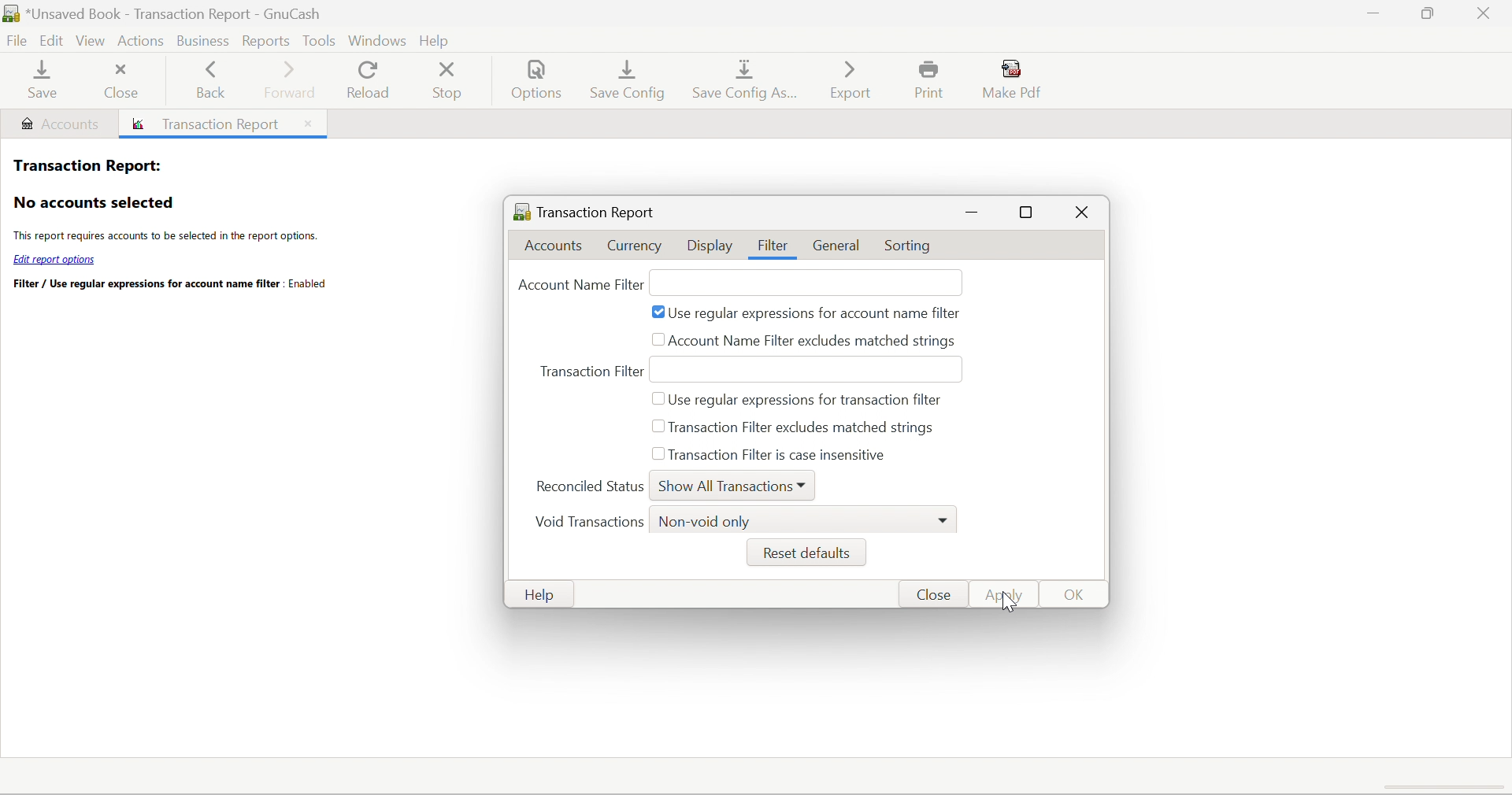 Image resolution: width=1512 pixels, height=795 pixels. I want to click on Close, so click(1081, 215).